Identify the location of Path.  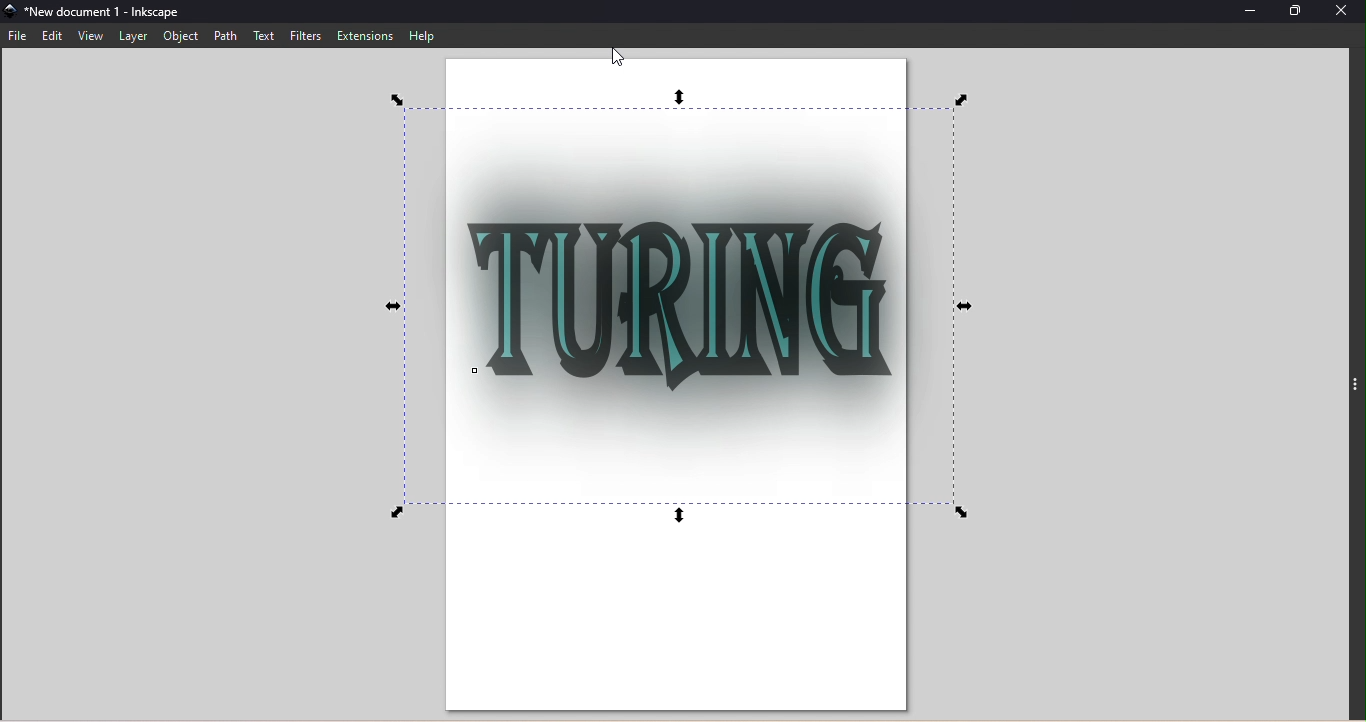
(224, 36).